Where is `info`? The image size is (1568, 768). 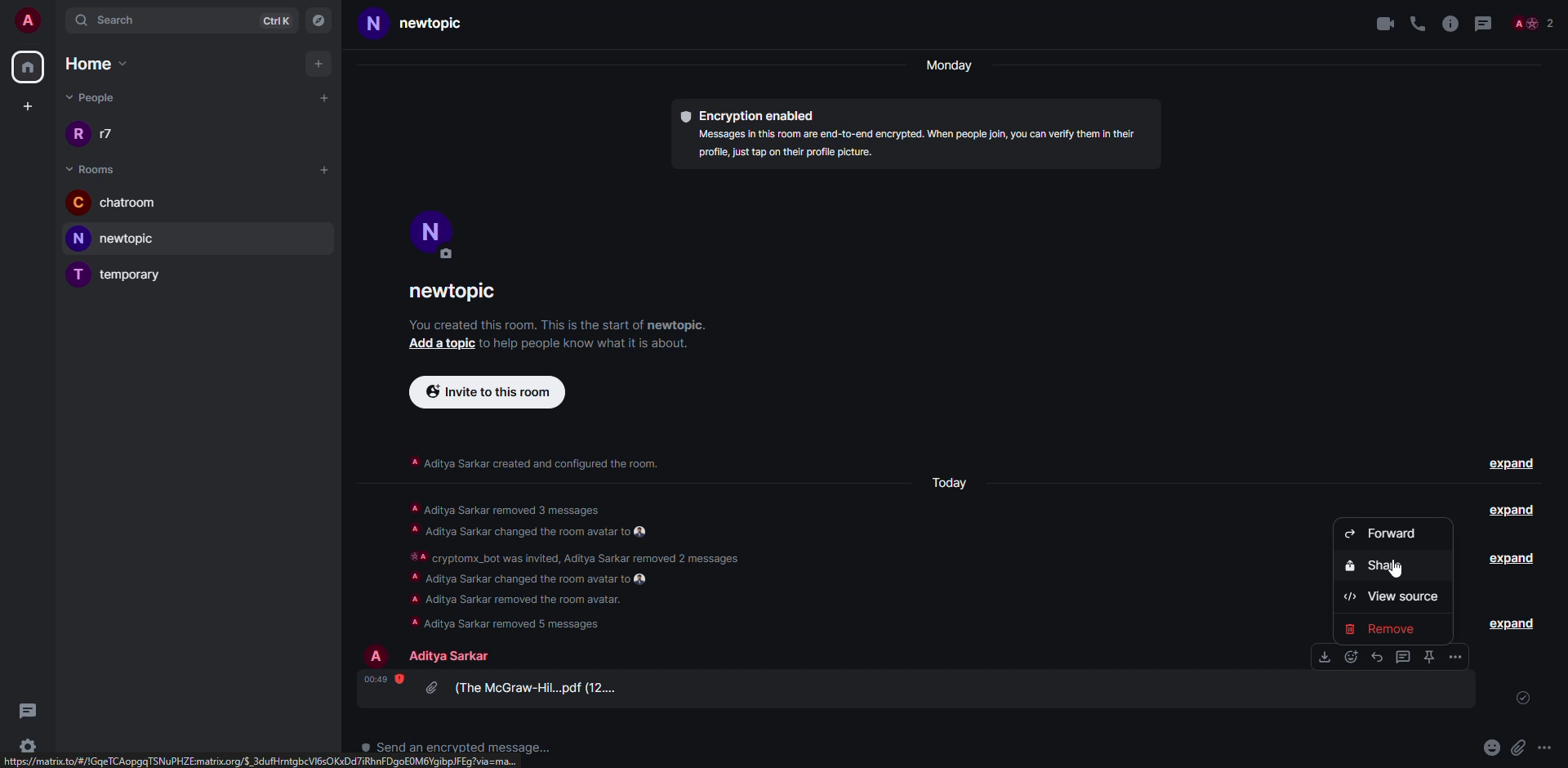
info is located at coordinates (595, 346).